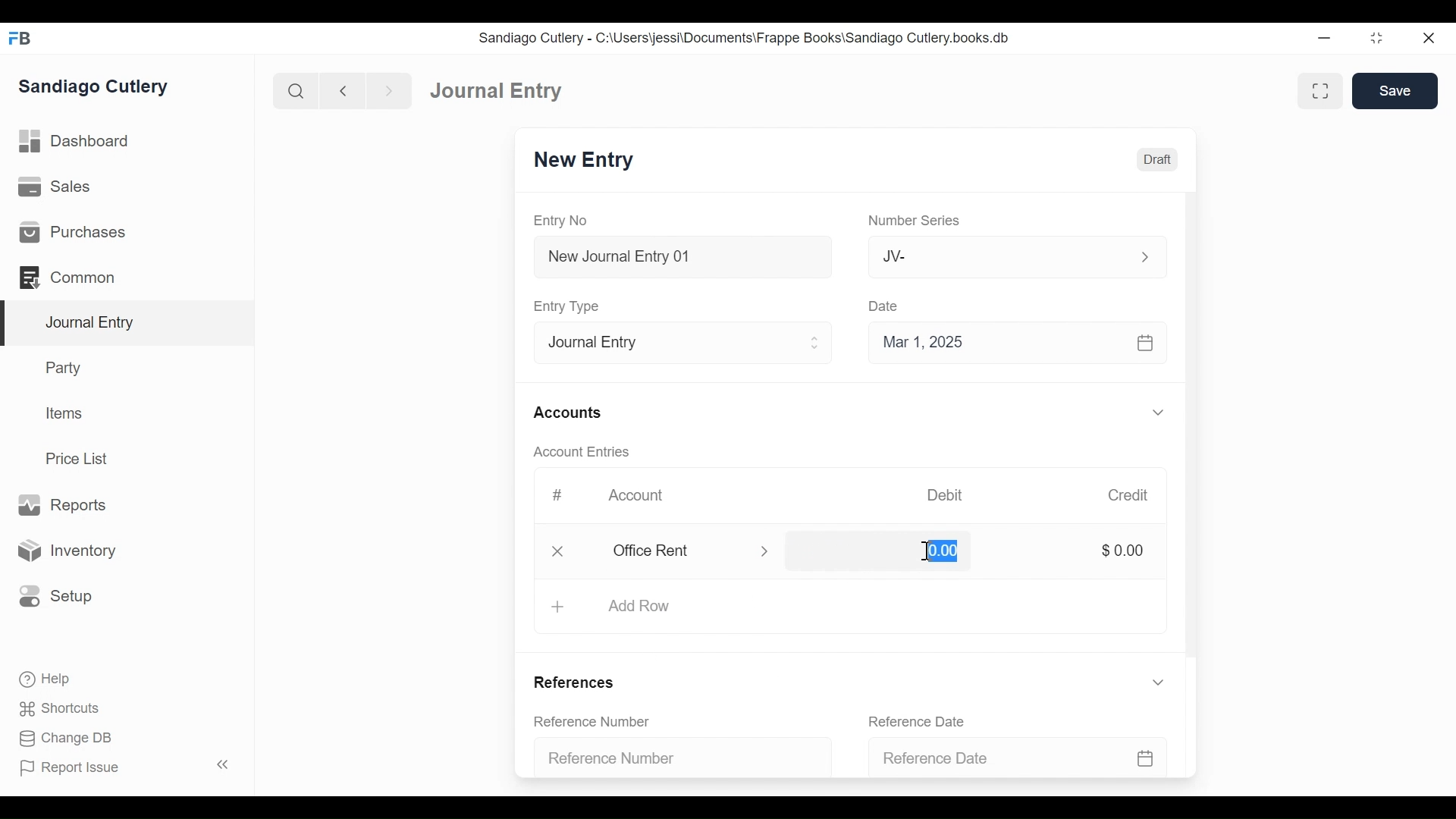 The image size is (1456, 819). What do you see at coordinates (552, 495) in the screenshot?
I see `#` at bounding box center [552, 495].